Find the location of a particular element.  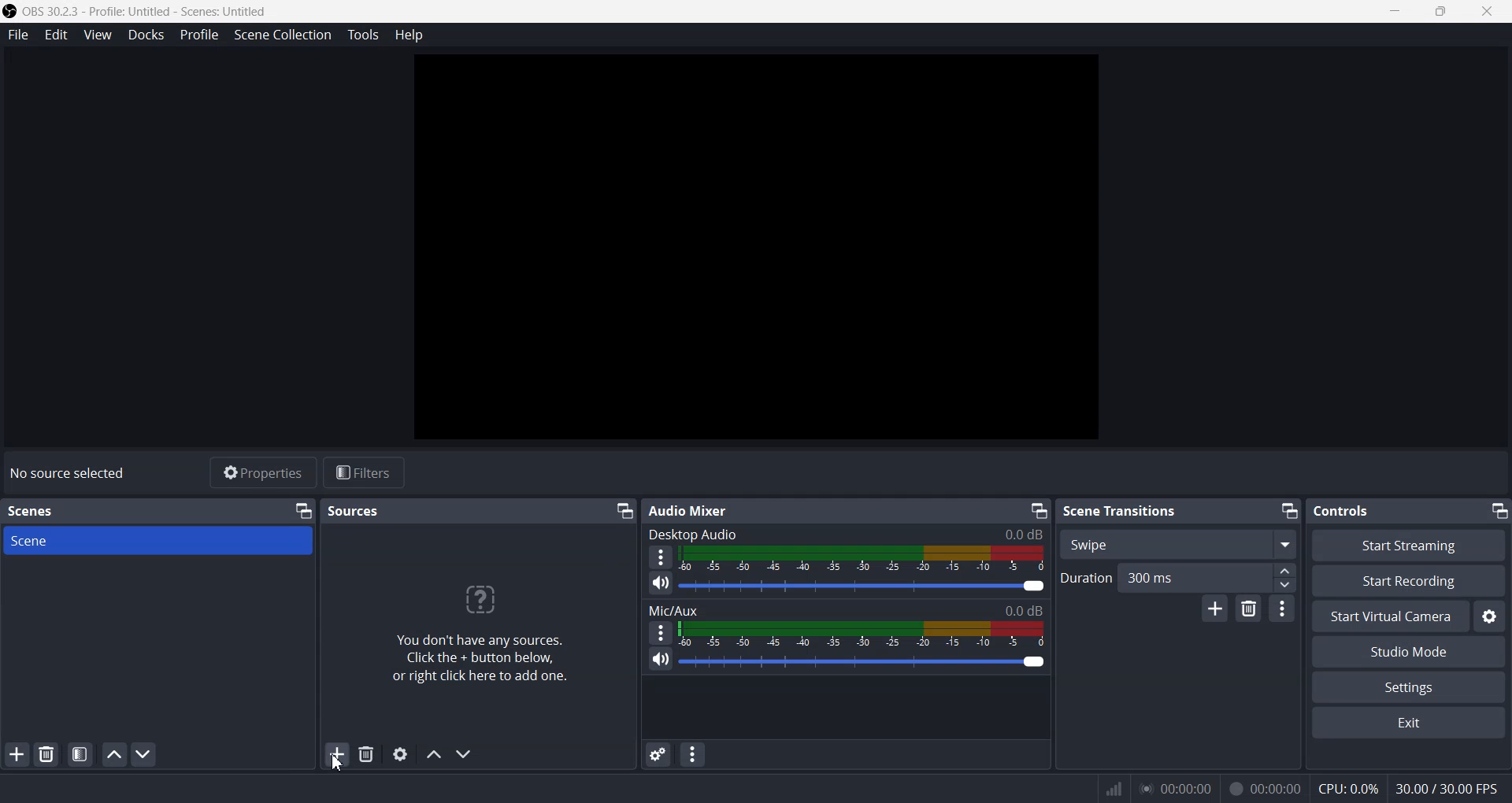

Move Scene Up is located at coordinates (114, 755).